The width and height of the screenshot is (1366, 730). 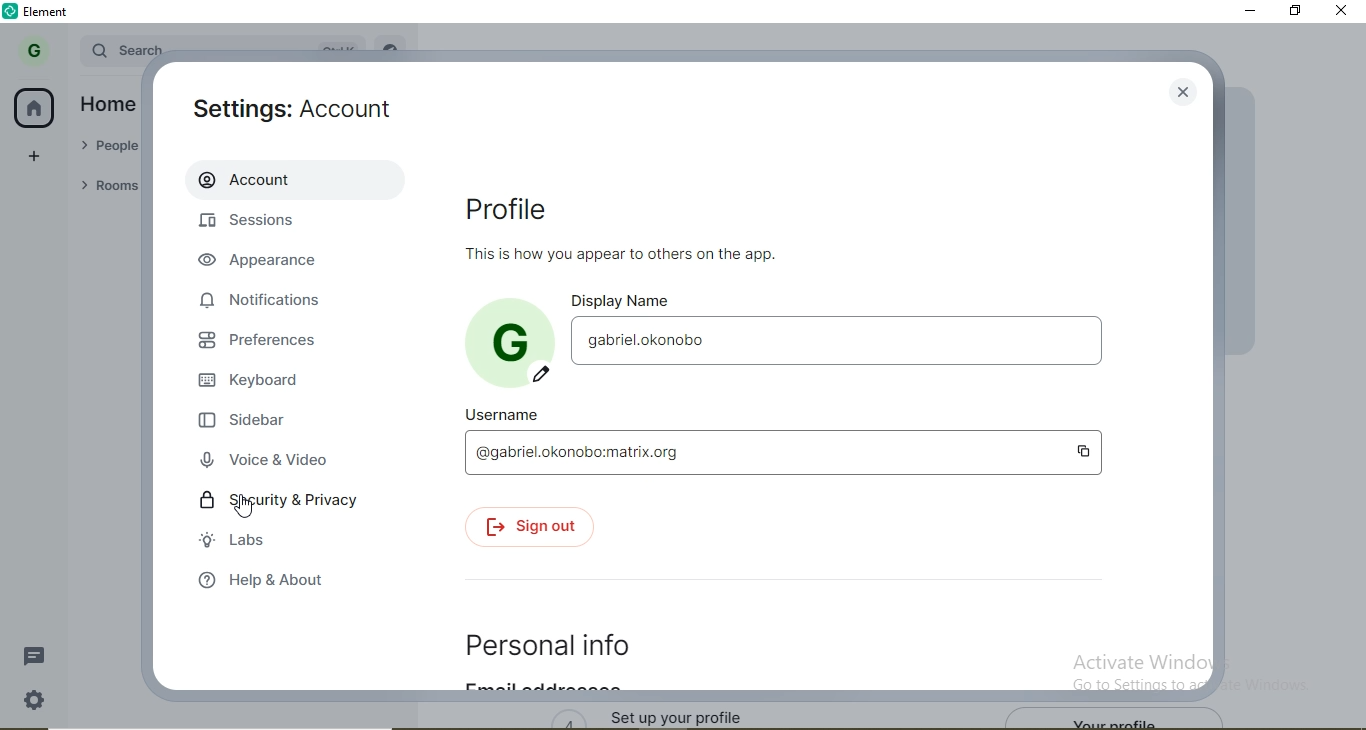 What do you see at coordinates (500, 413) in the screenshot?
I see `username` at bounding box center [500, 413].